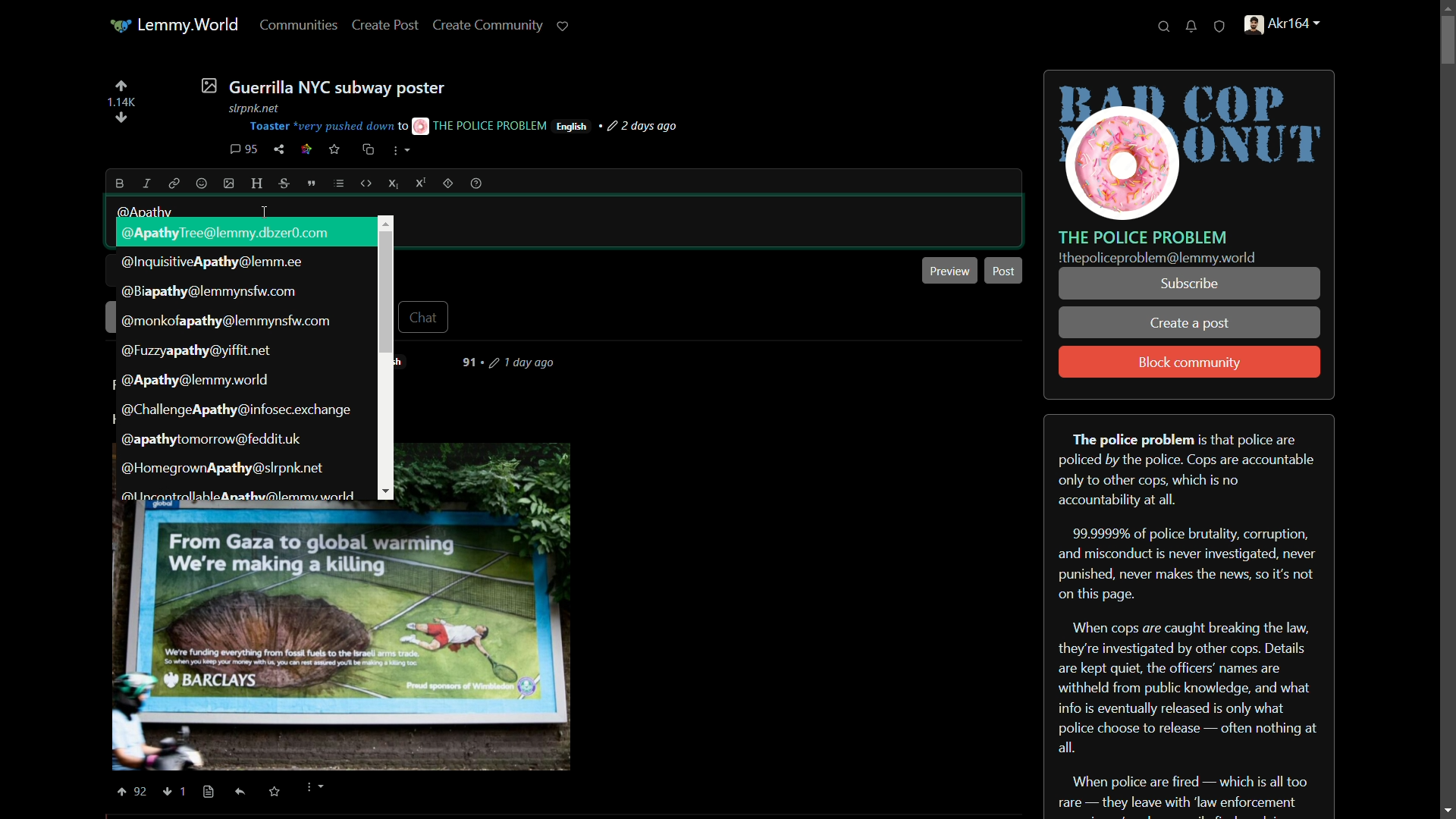 The width and height of the screenshot is (1456, 819). Describe the element at coordinates (272, 792) in the screenshot. I see `saved` at that location.